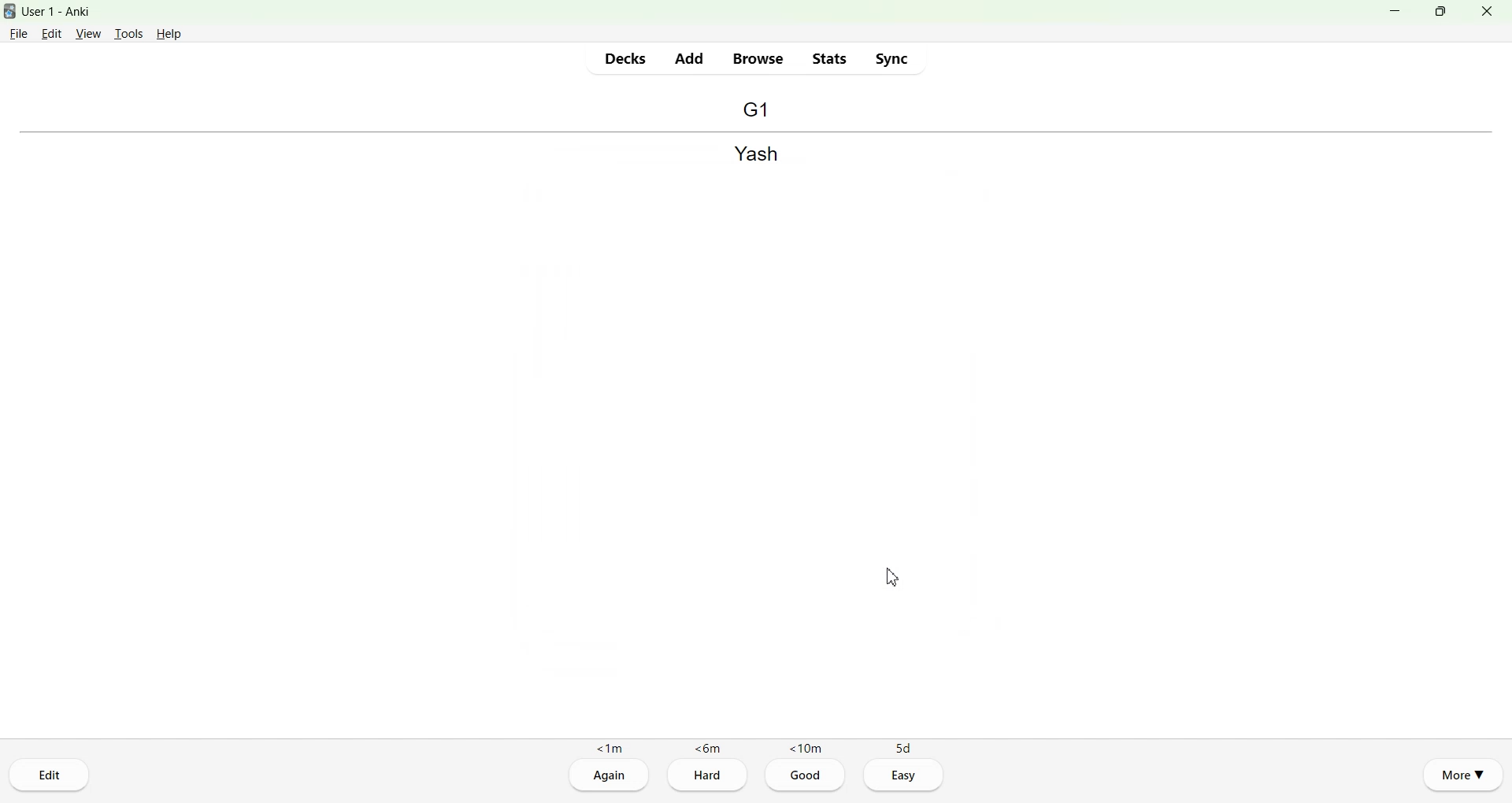  I want to click on Good, so click(806, 776).